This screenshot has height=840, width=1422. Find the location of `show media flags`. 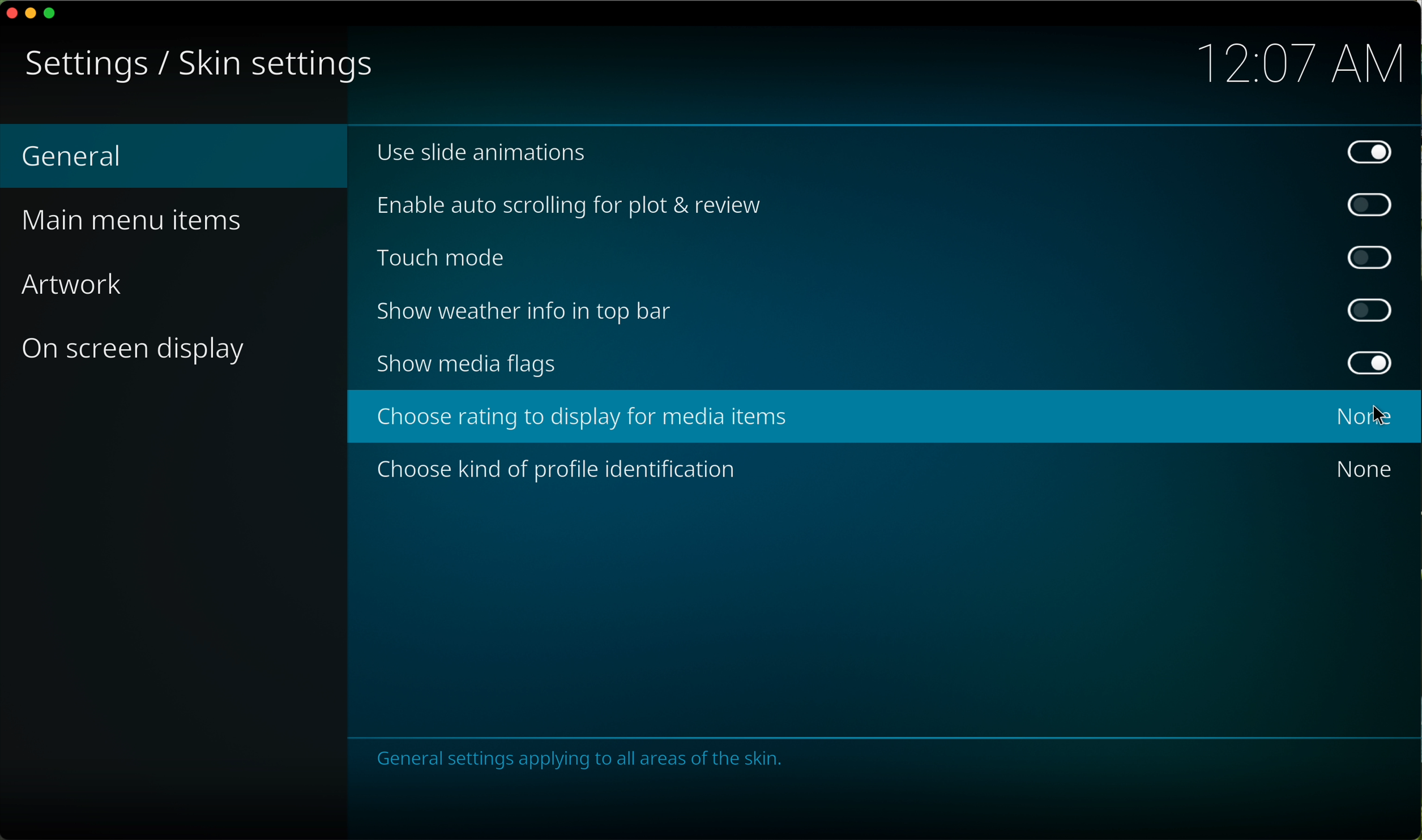

show media flags is located at coordinates (889, 365).